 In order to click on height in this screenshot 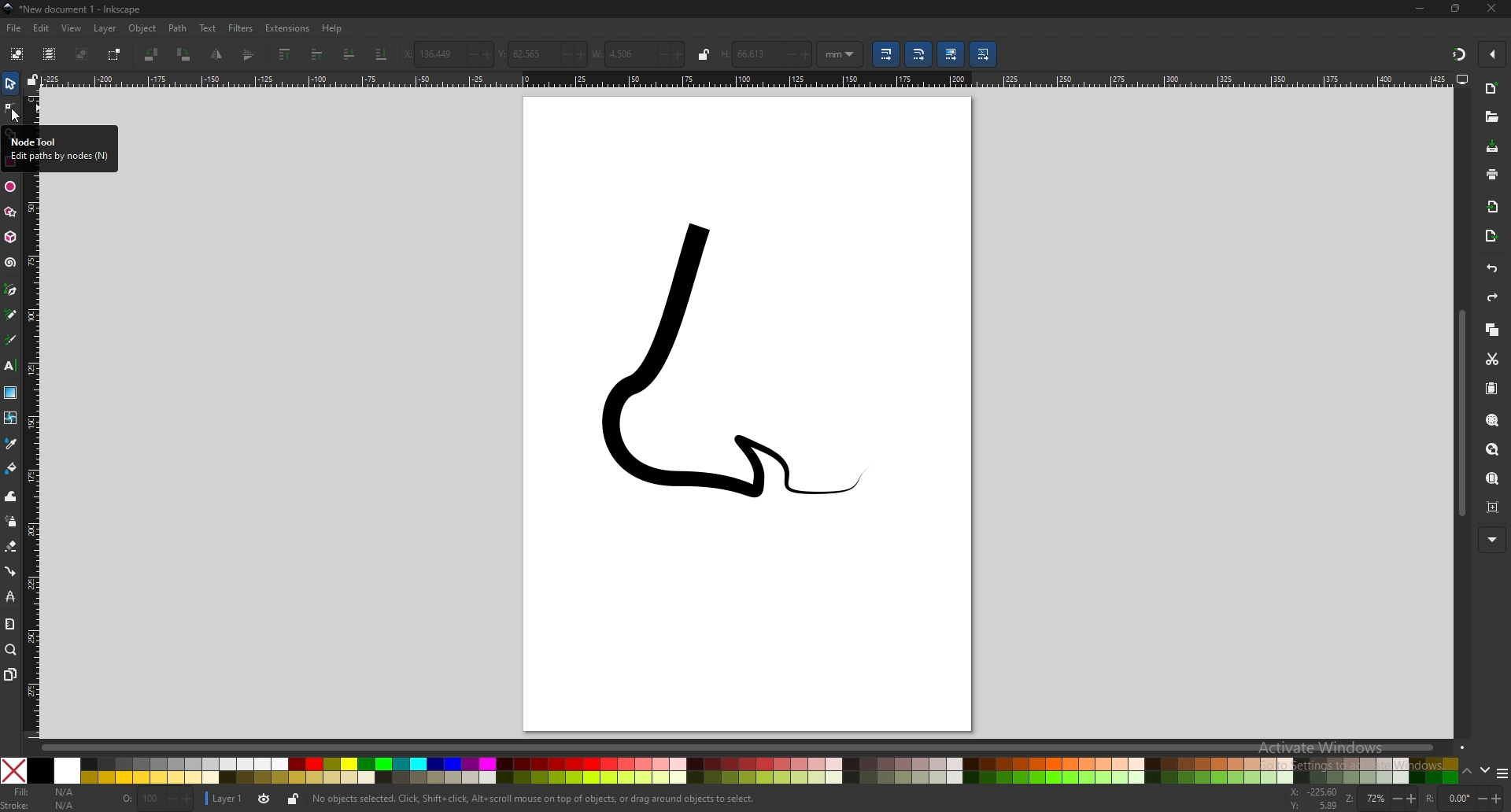, I will do `click(766, 54)`.